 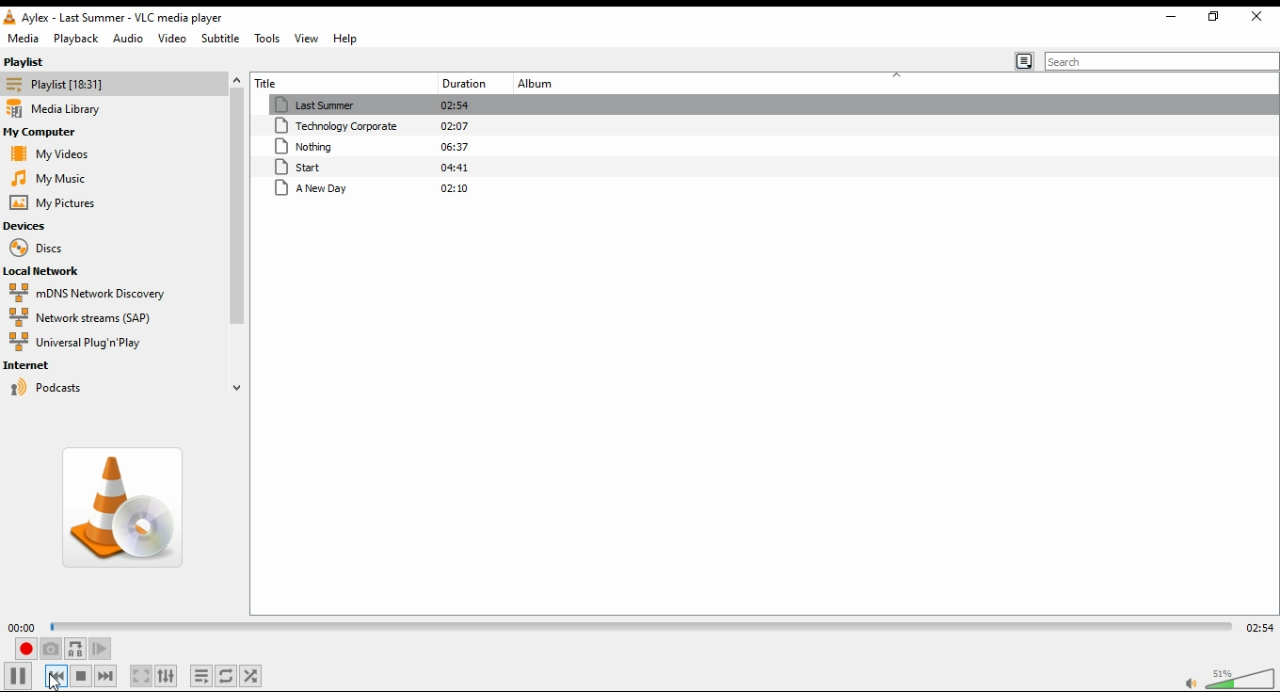 What do you see at coordinates (9, 17) in the screenshot?
I see `vlc icon` at bounding box center [9, 17].